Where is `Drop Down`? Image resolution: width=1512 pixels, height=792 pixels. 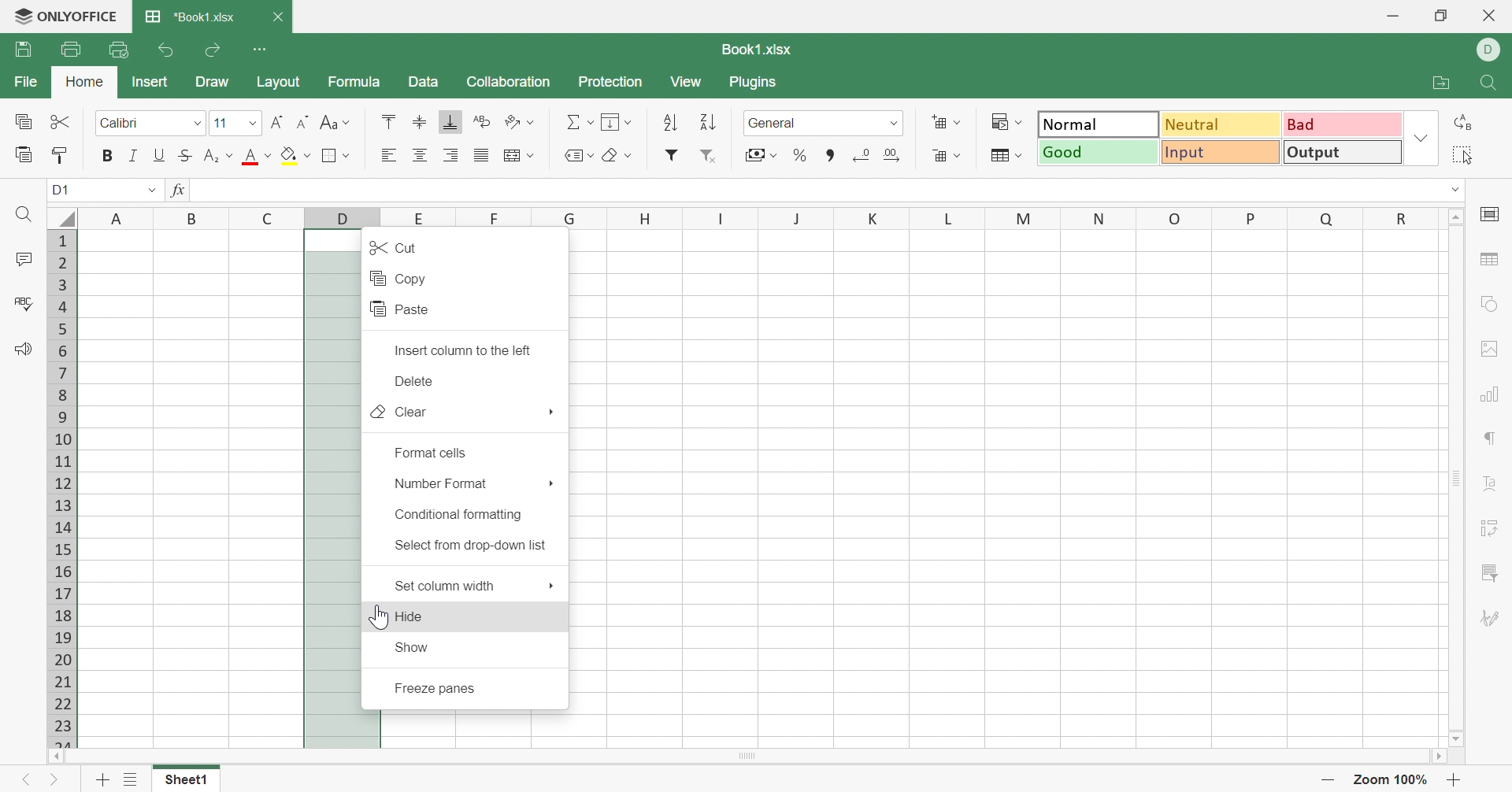 Drop Down is located at coordinates (307, 155).